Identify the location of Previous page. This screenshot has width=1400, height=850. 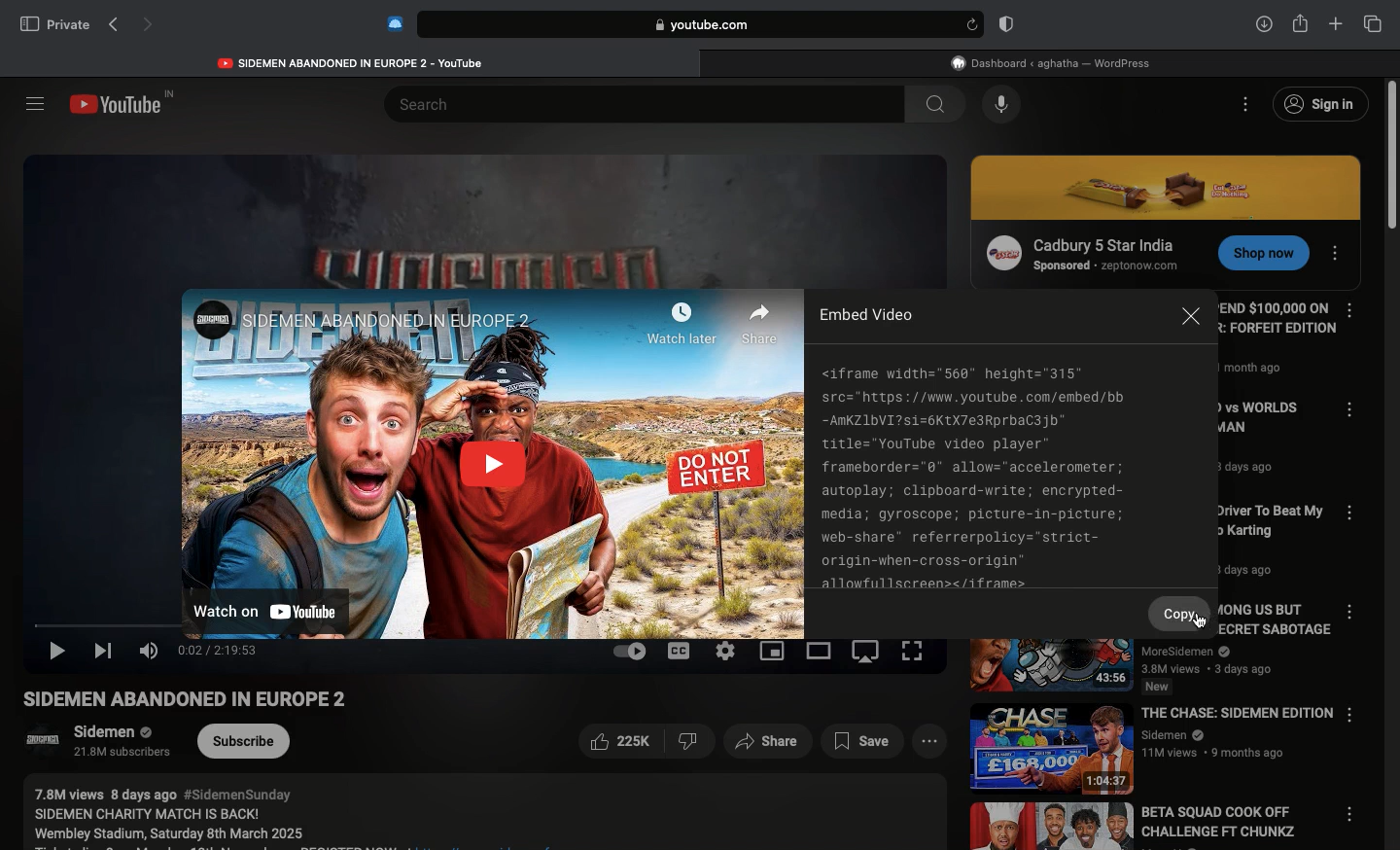
(113, 25).